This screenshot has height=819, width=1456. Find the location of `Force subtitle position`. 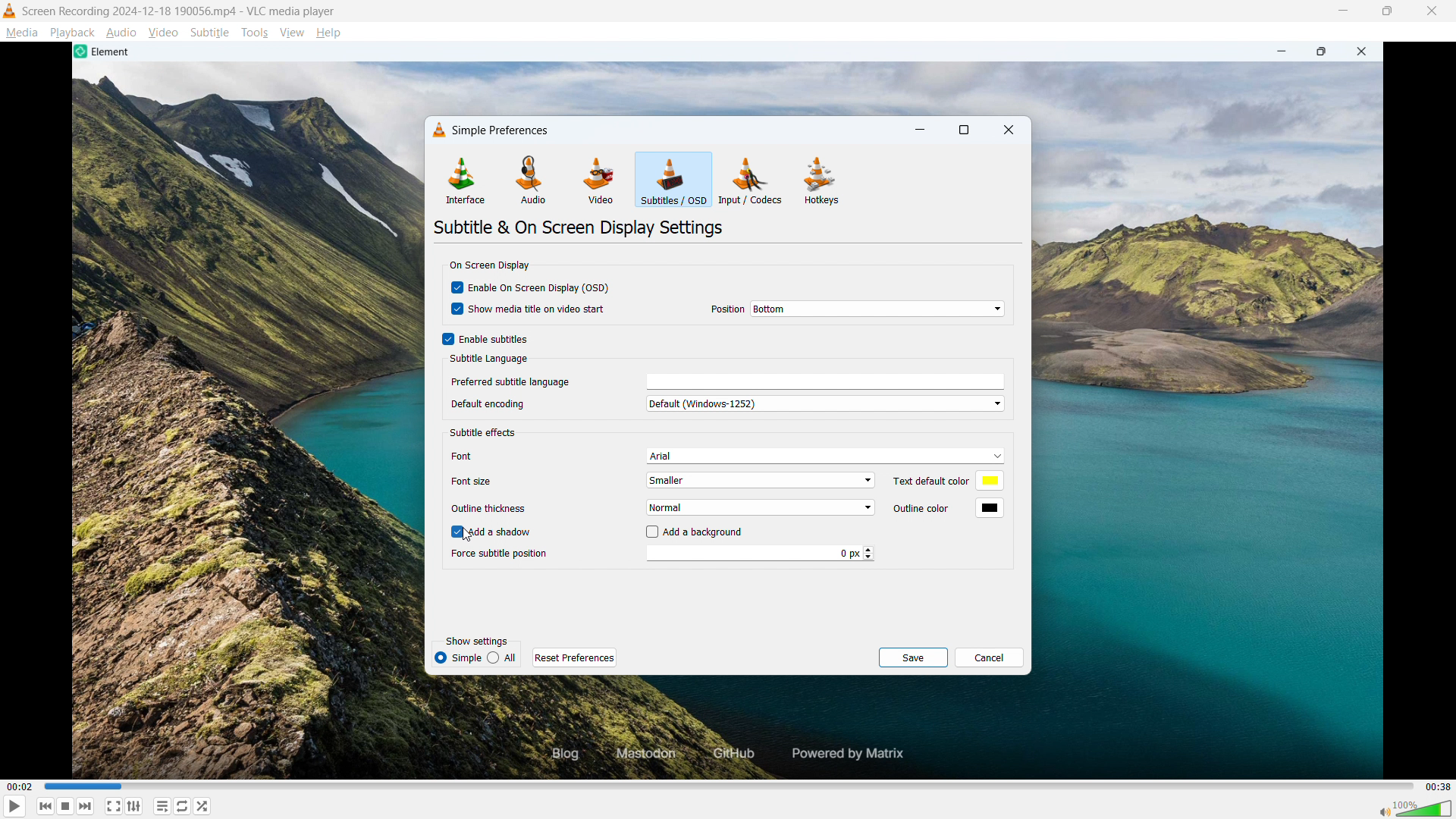

Force subtitle position is located at coordinates (502, 554).